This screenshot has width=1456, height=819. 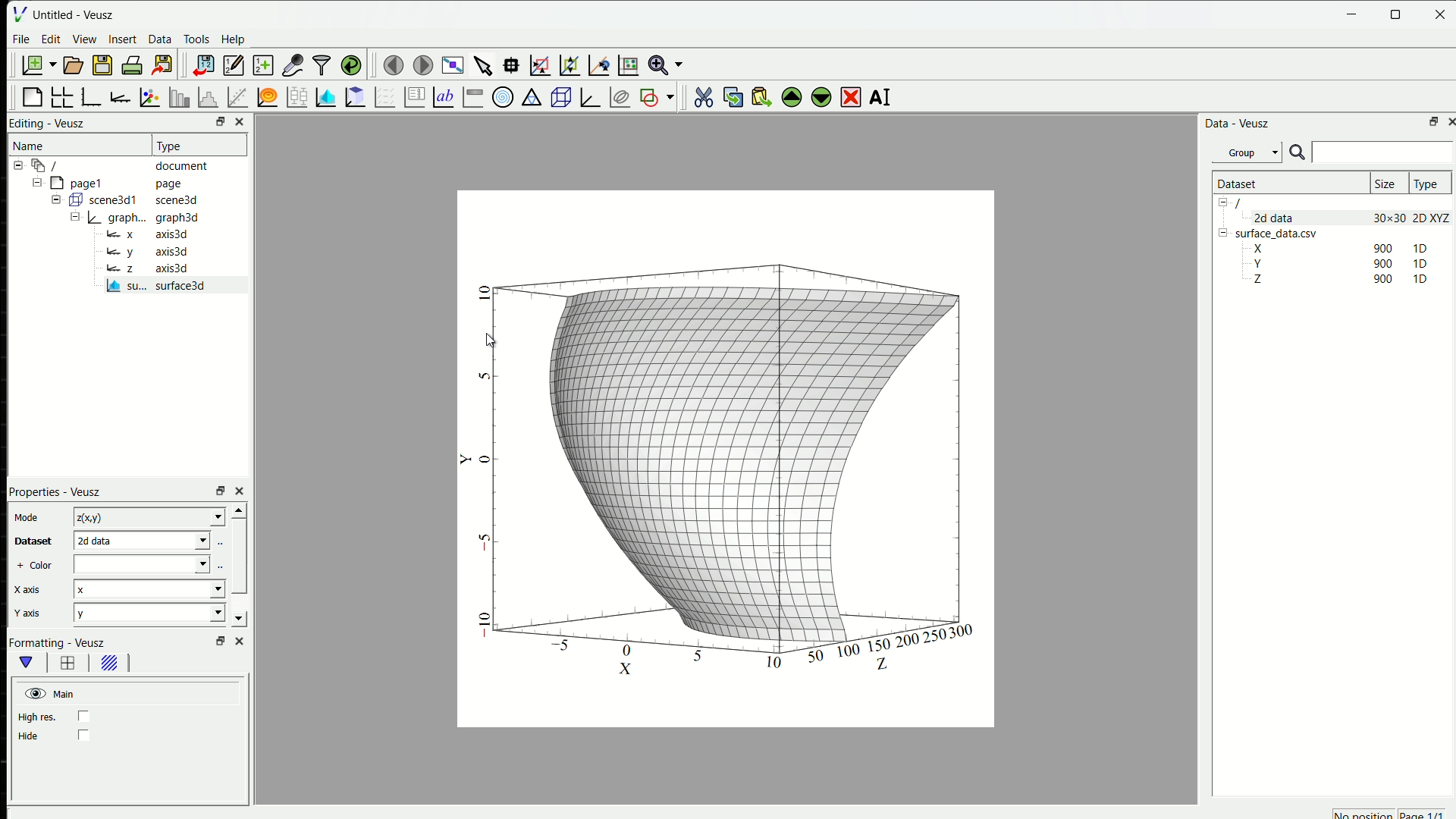 What do you see at coordinates (180, 219) in the screenshot?
I see `graph3d` at bounding box center [180, 219].